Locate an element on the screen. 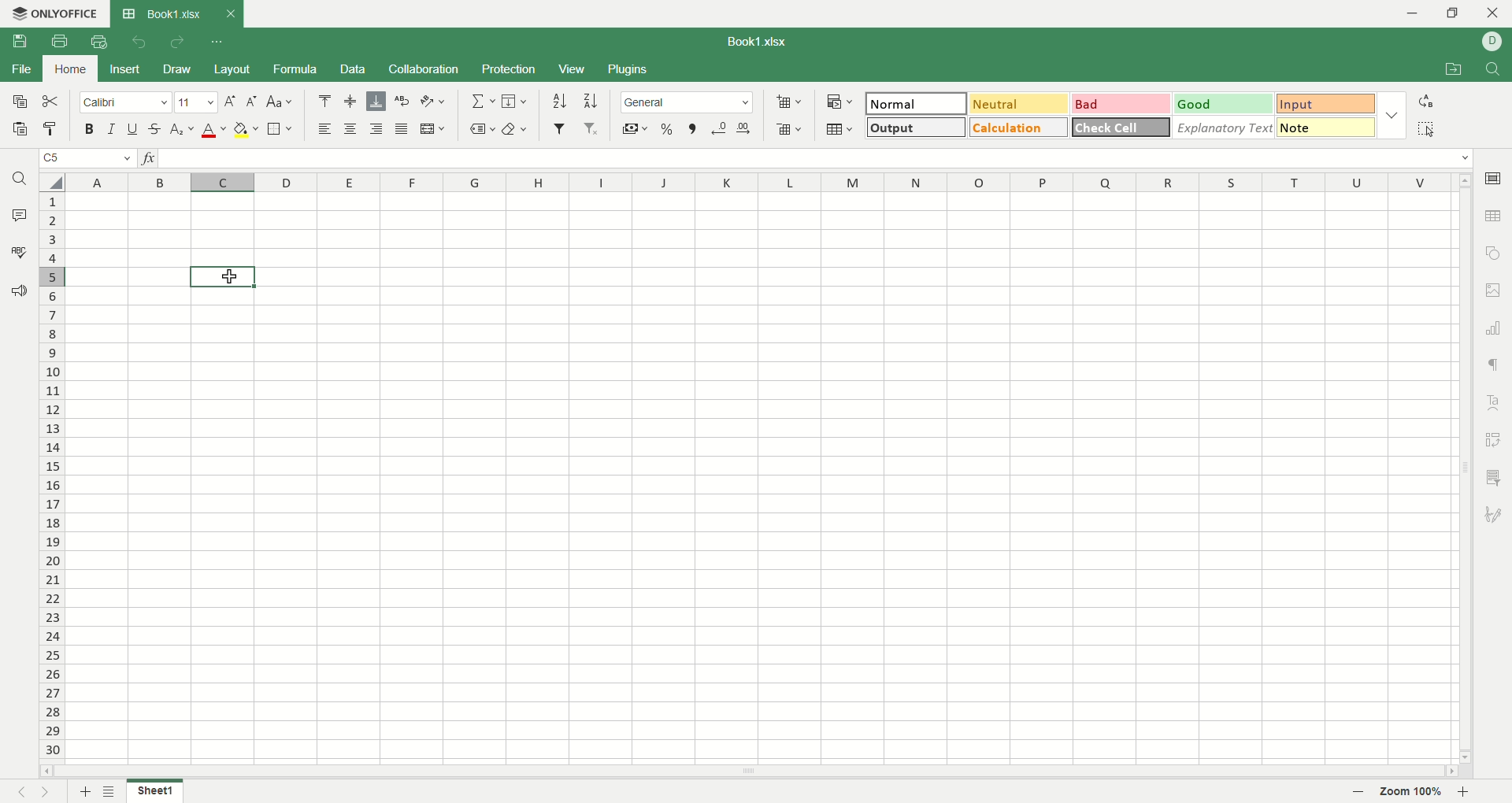 The image size is (1512, 803). FIND is located at coordinates (1490, 70).